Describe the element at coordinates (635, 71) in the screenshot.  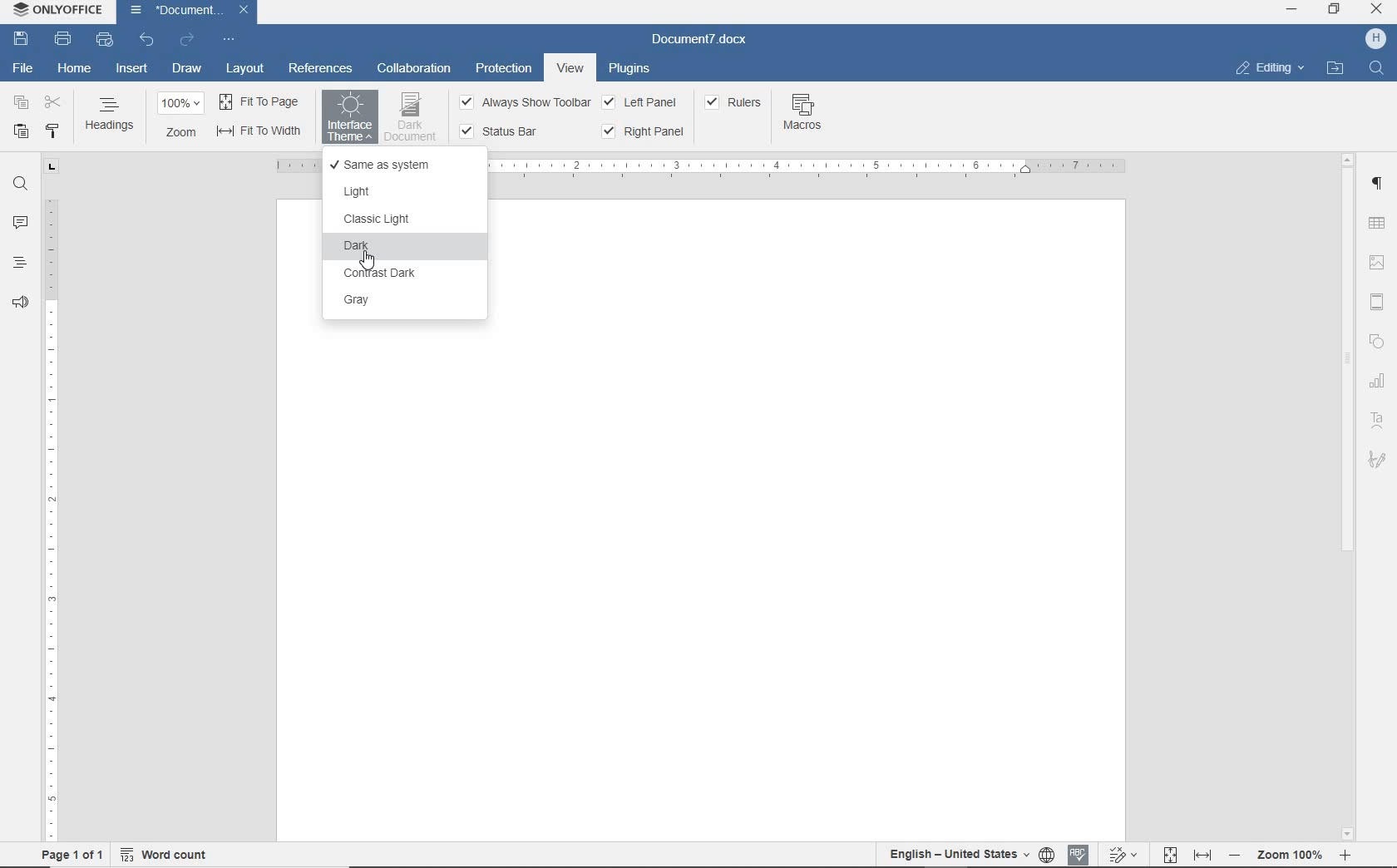
I see `PLUGINS` at that location.